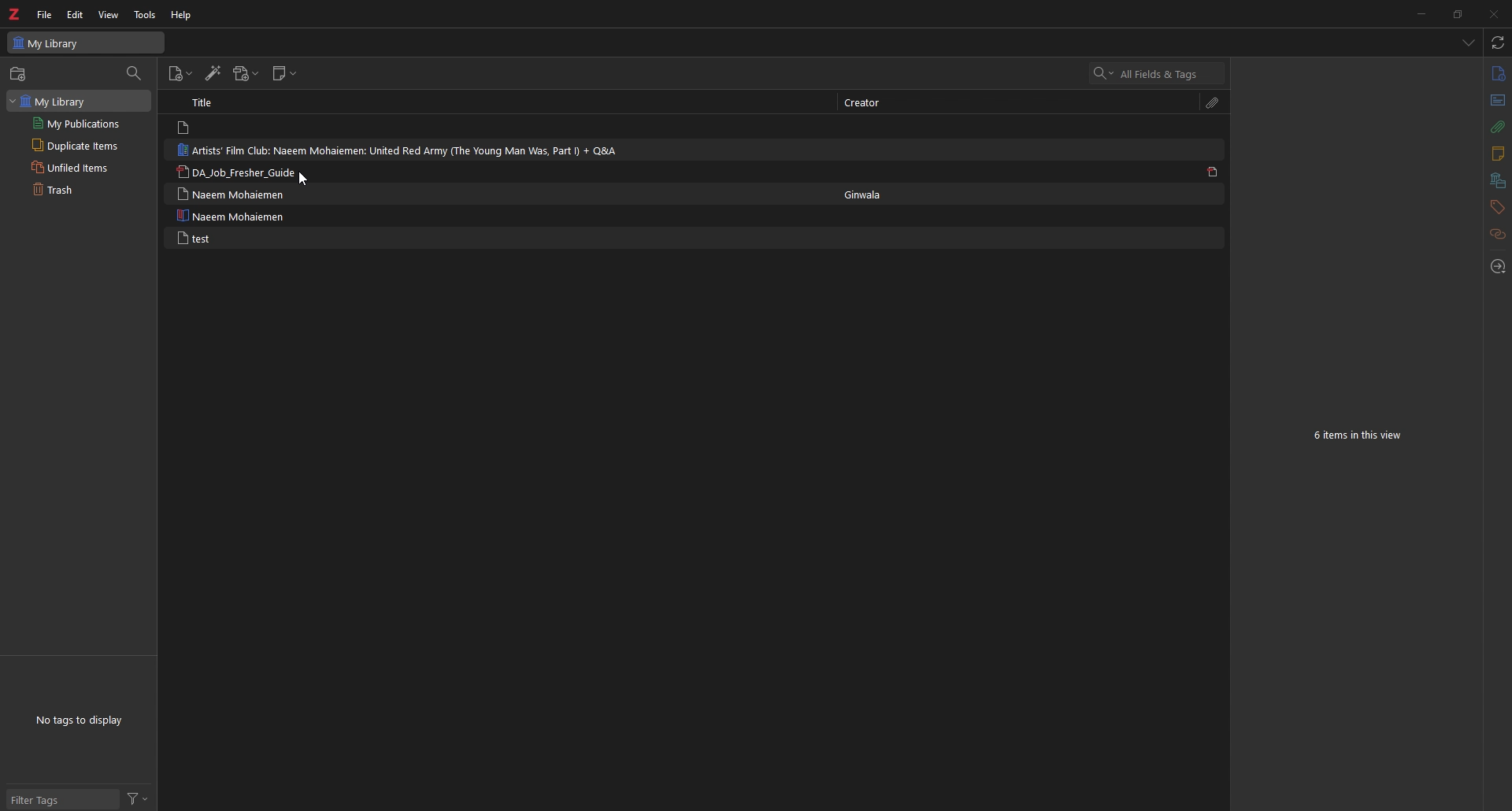 The image size is (1512, 811). Describe the element at coordinates (16, 13) in the screenshot. I see `zotero` at that location.